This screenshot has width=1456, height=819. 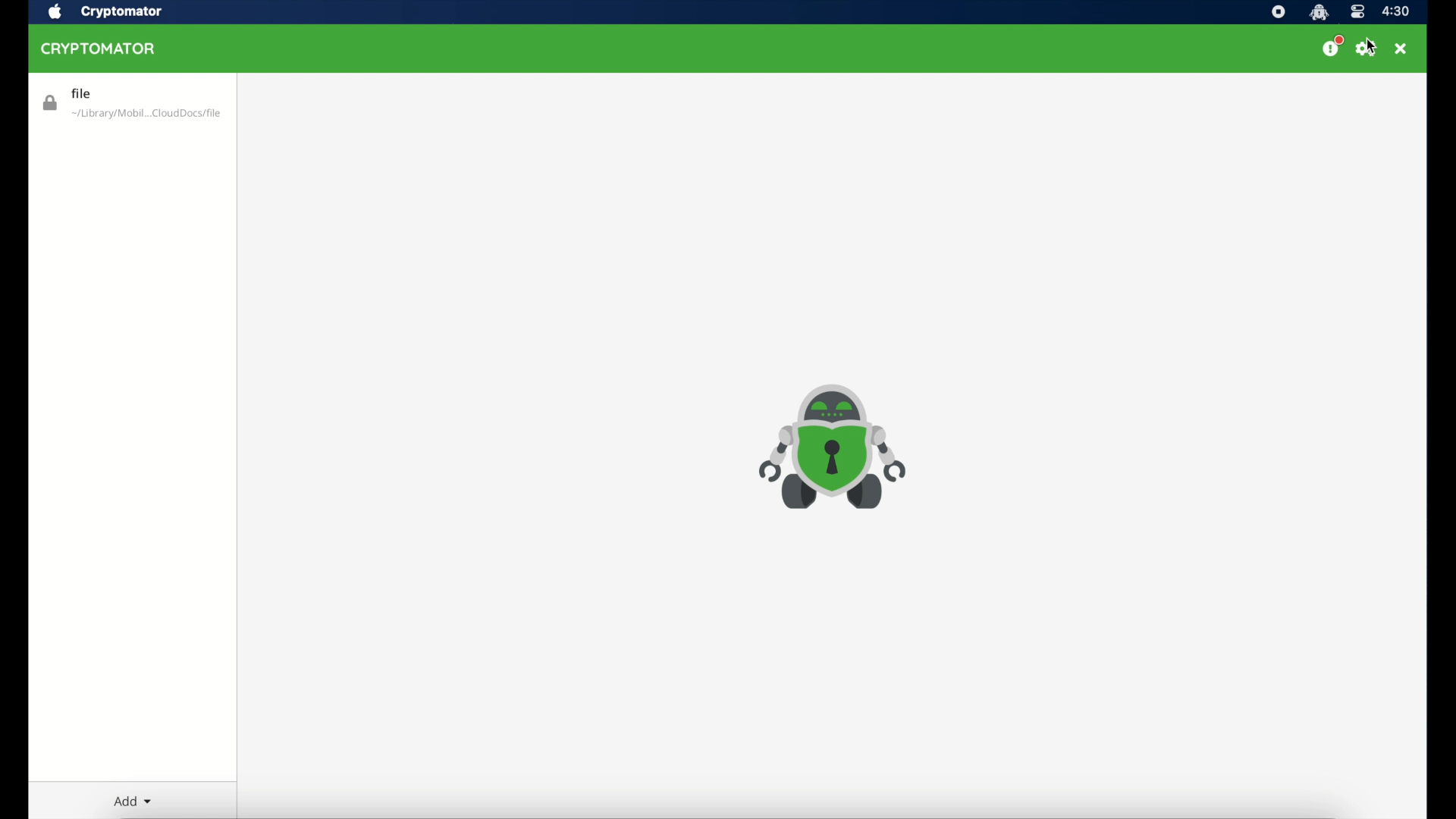 What do you see at coordinates (1332, 46) in the screenshot?
I see `donate us` at bounding box center [1332, 46].